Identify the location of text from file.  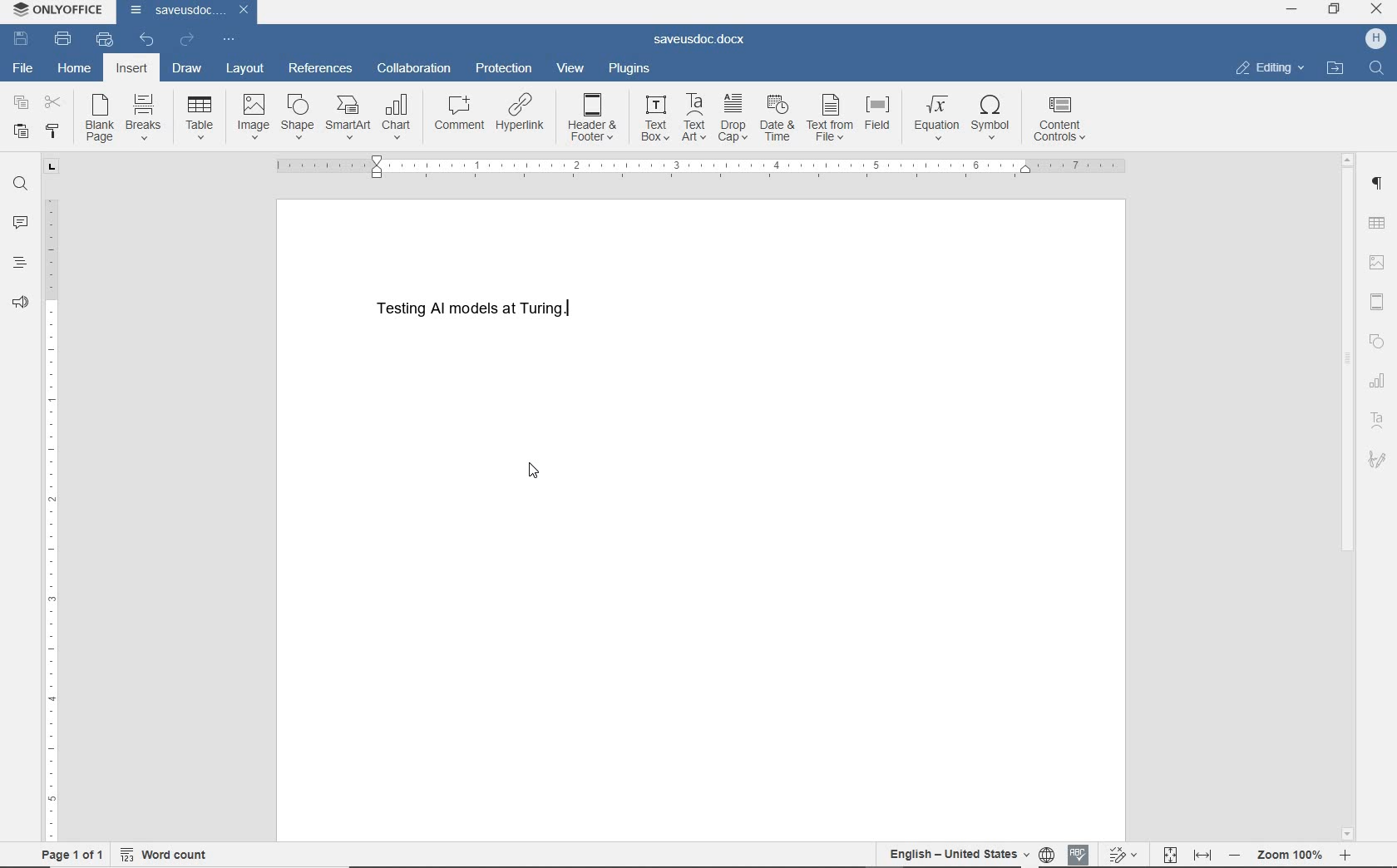
(829, 118).